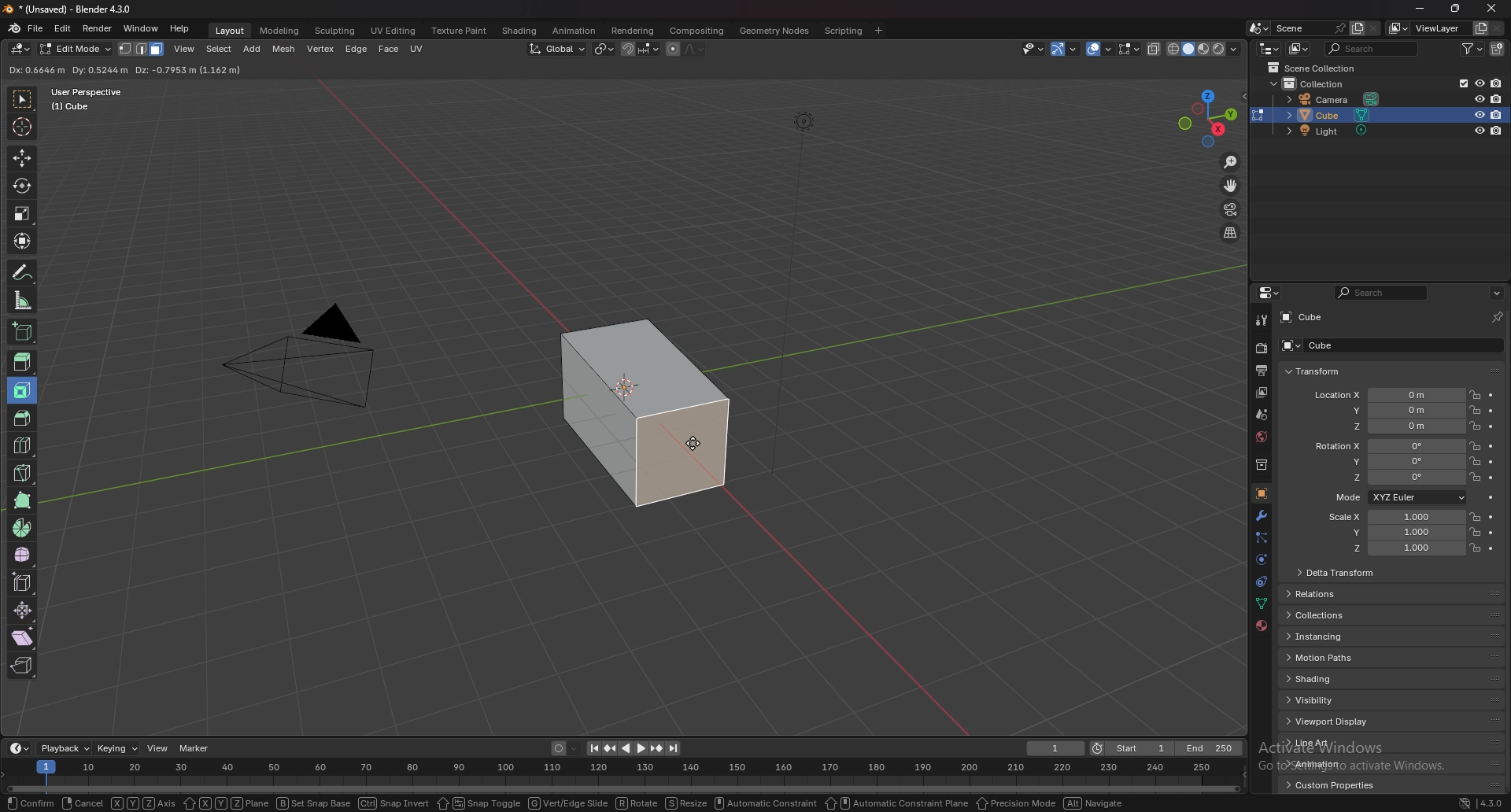 Image resolution: width=1511 pixels, height=812 pixels. I want to click on lock, so click(1475, 461).